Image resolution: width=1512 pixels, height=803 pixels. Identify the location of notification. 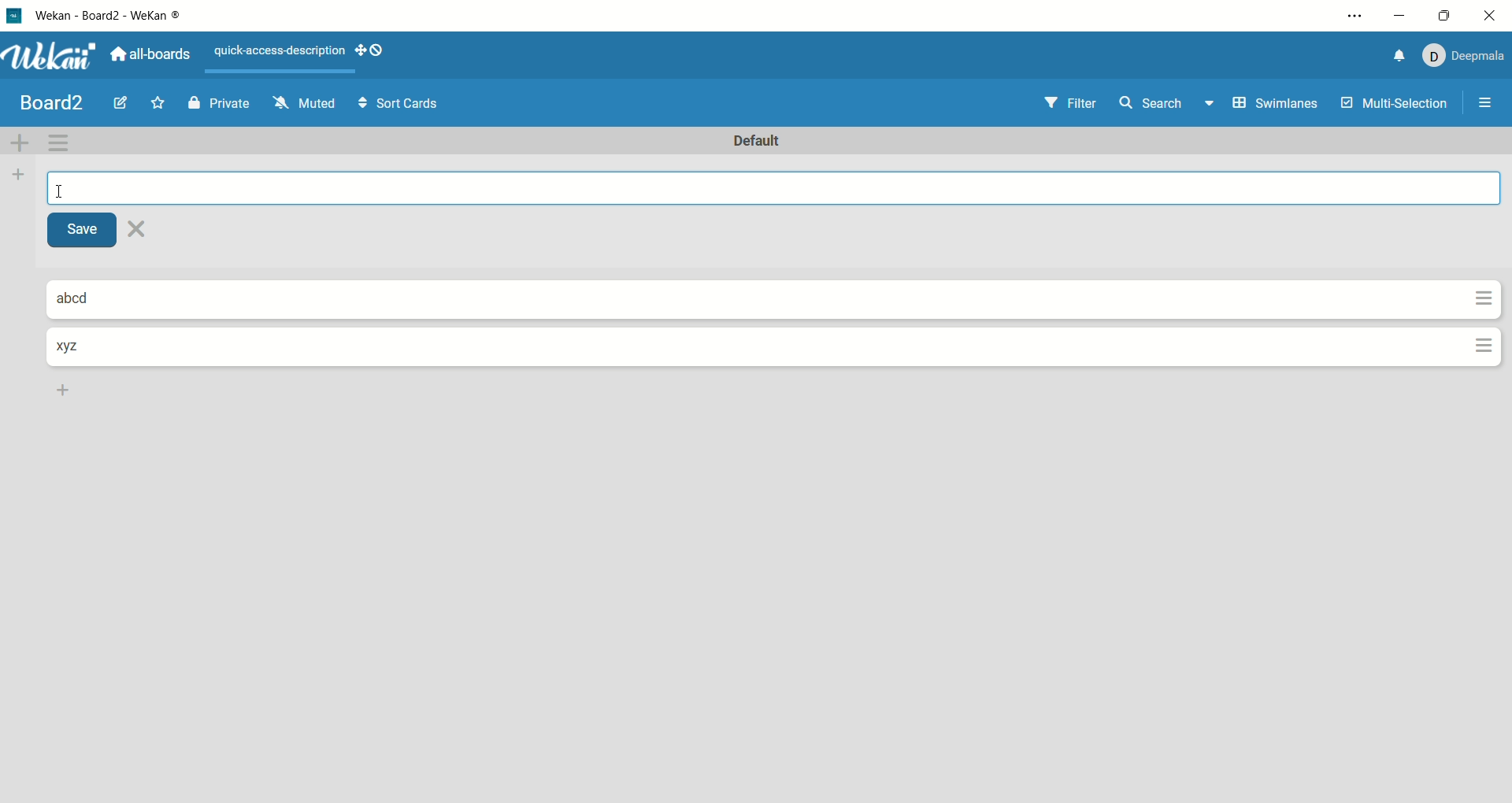
(1392, 56).